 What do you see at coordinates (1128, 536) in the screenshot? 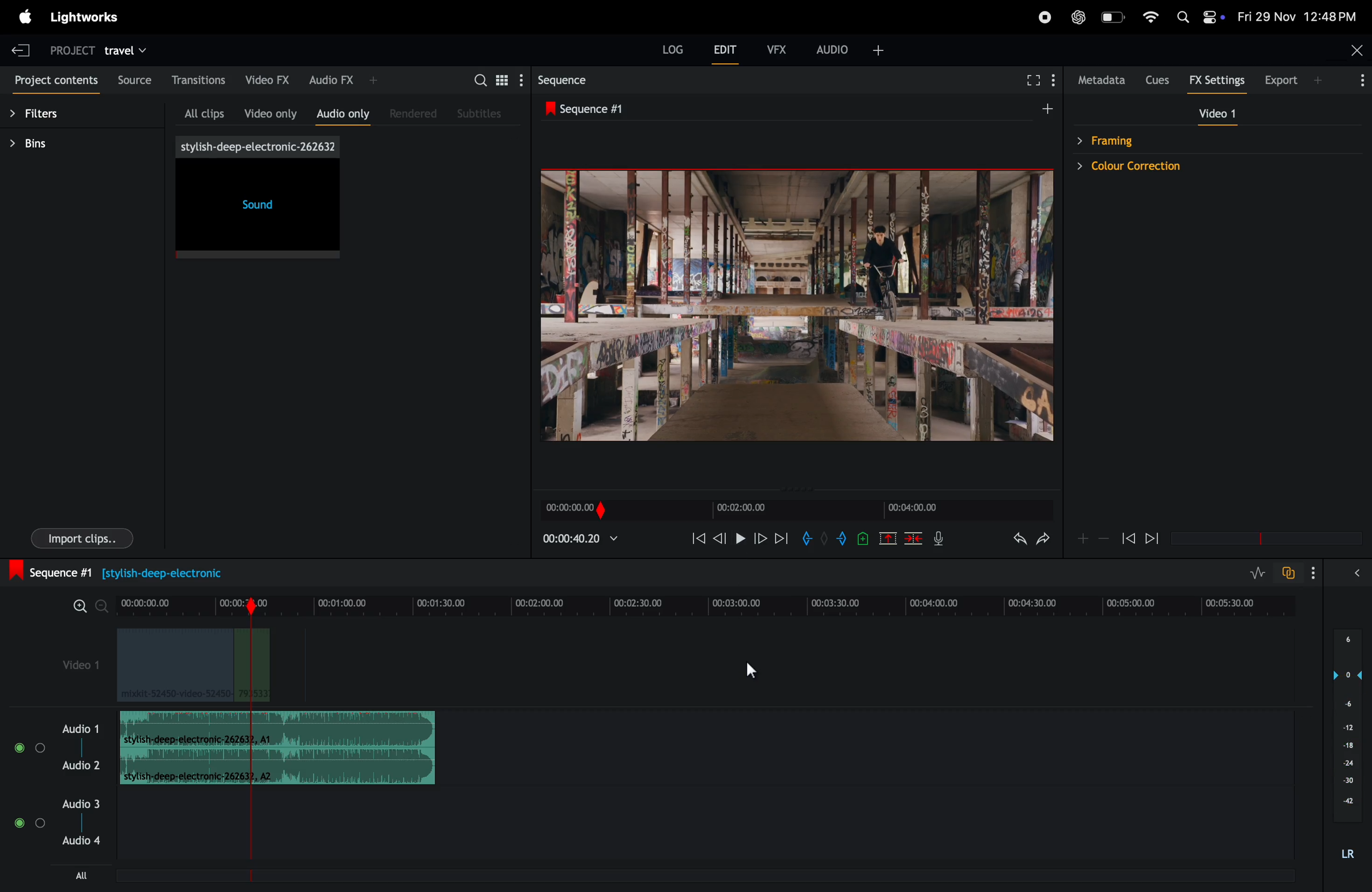
I see `previous frame` at bounding box center [1128, 536].